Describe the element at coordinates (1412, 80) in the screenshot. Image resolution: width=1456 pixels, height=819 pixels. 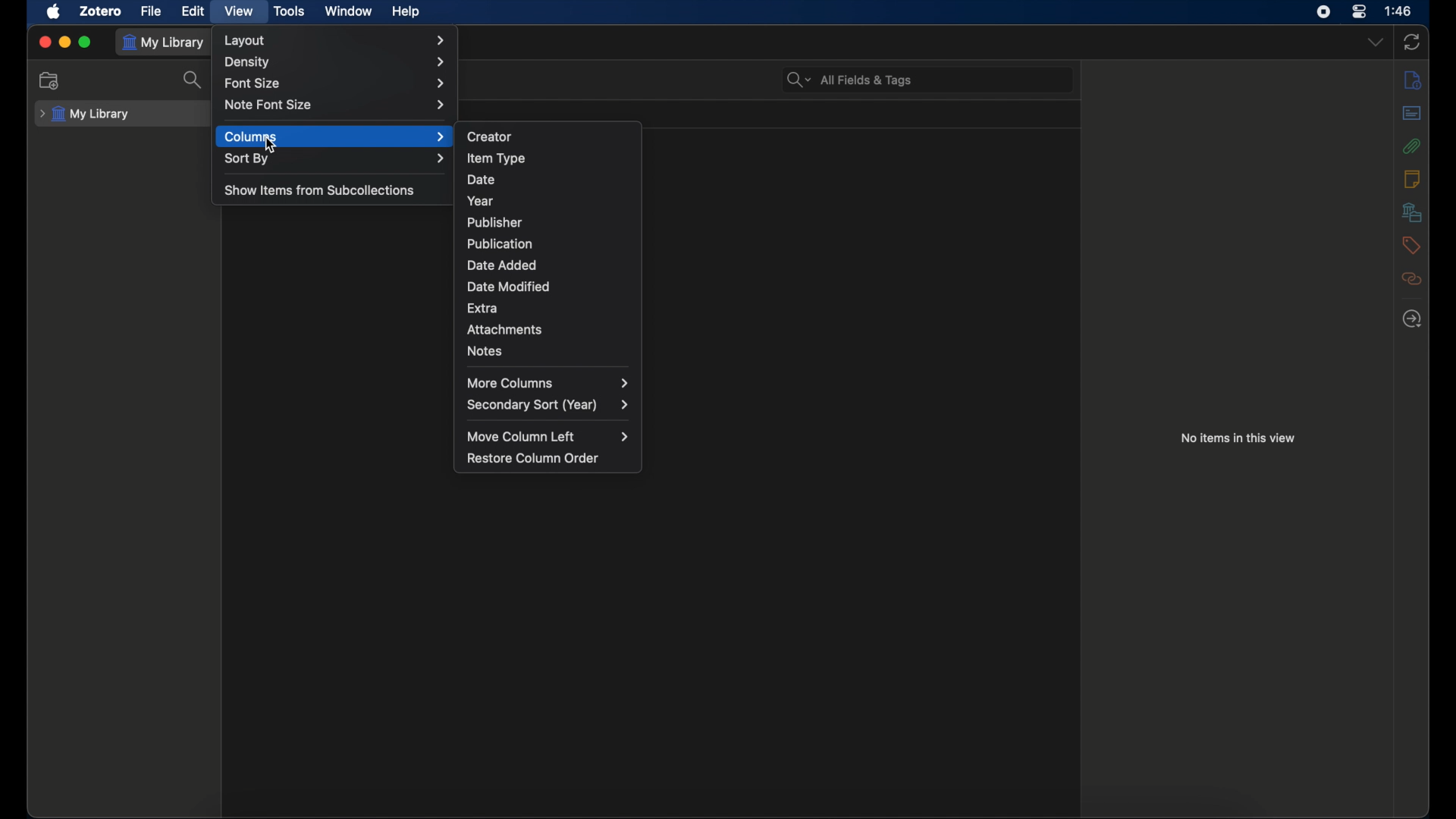
I see `info` at that location.